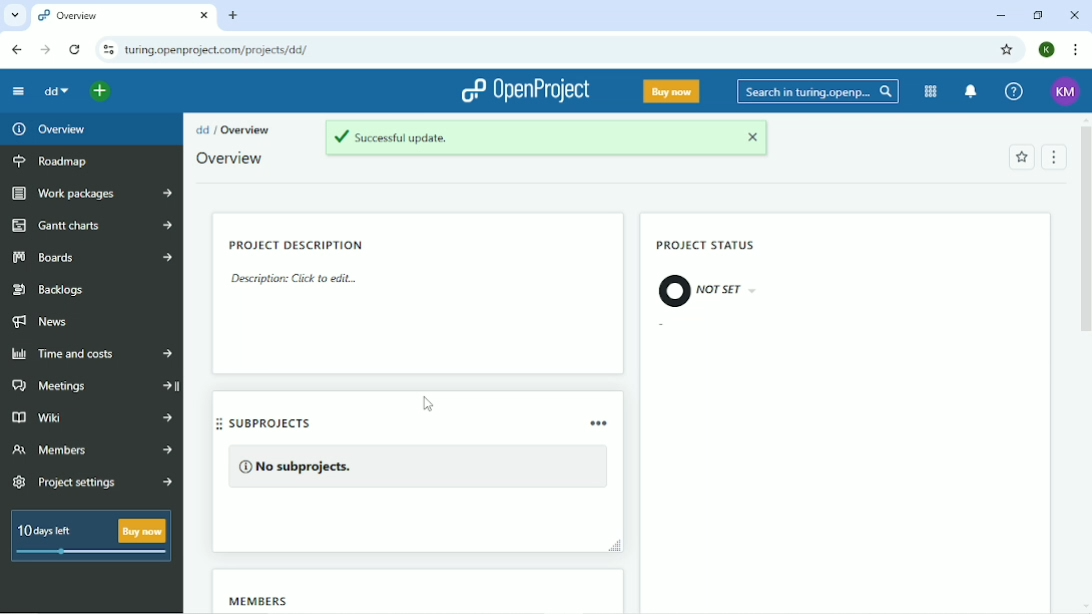  Describe the element at coordinates (1065, 92) in the screenshot. I see `Account` at that location.